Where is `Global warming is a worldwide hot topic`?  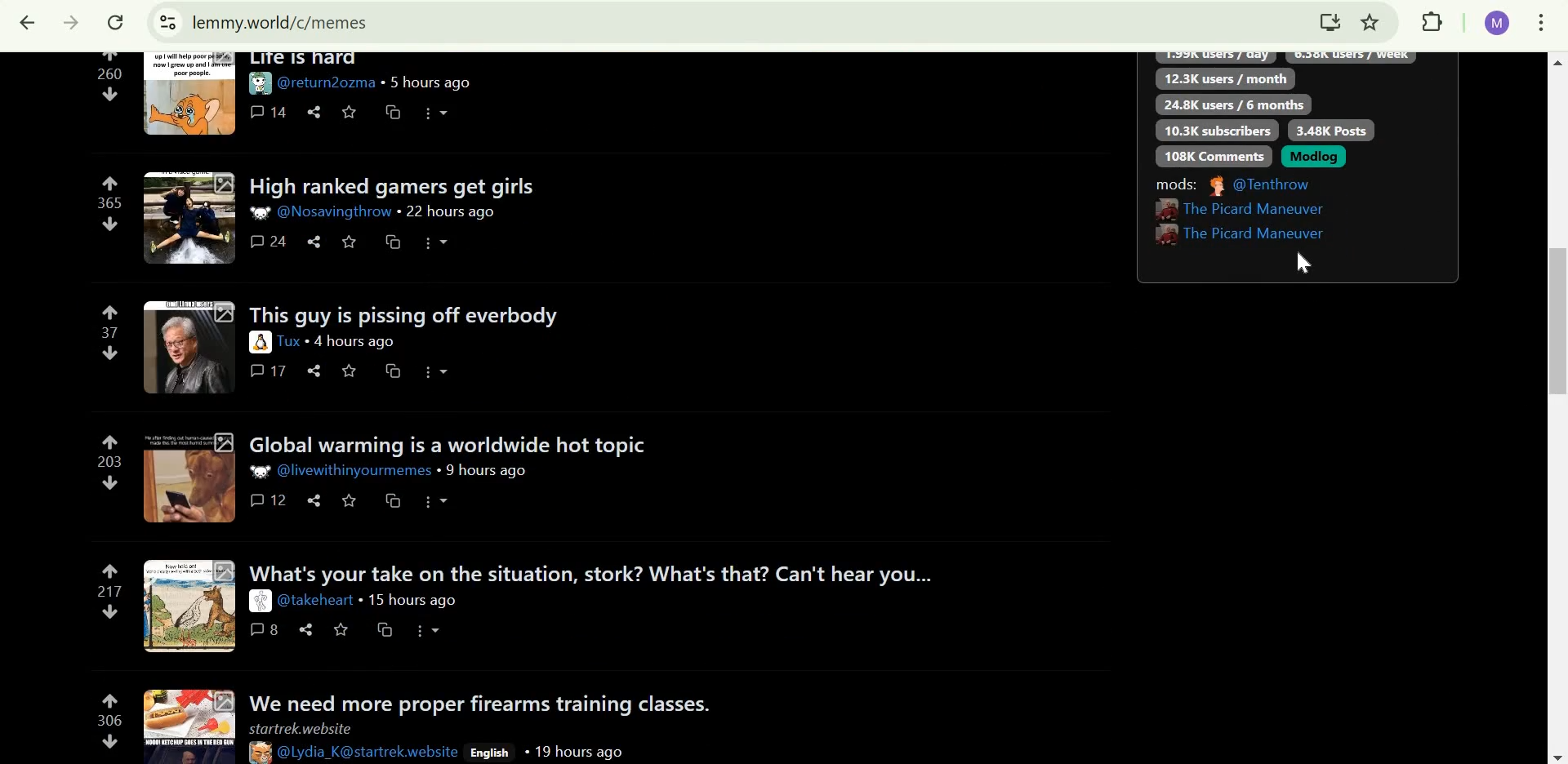
Global warming is a worldwide hot topic is located at coordinates (457, 443).